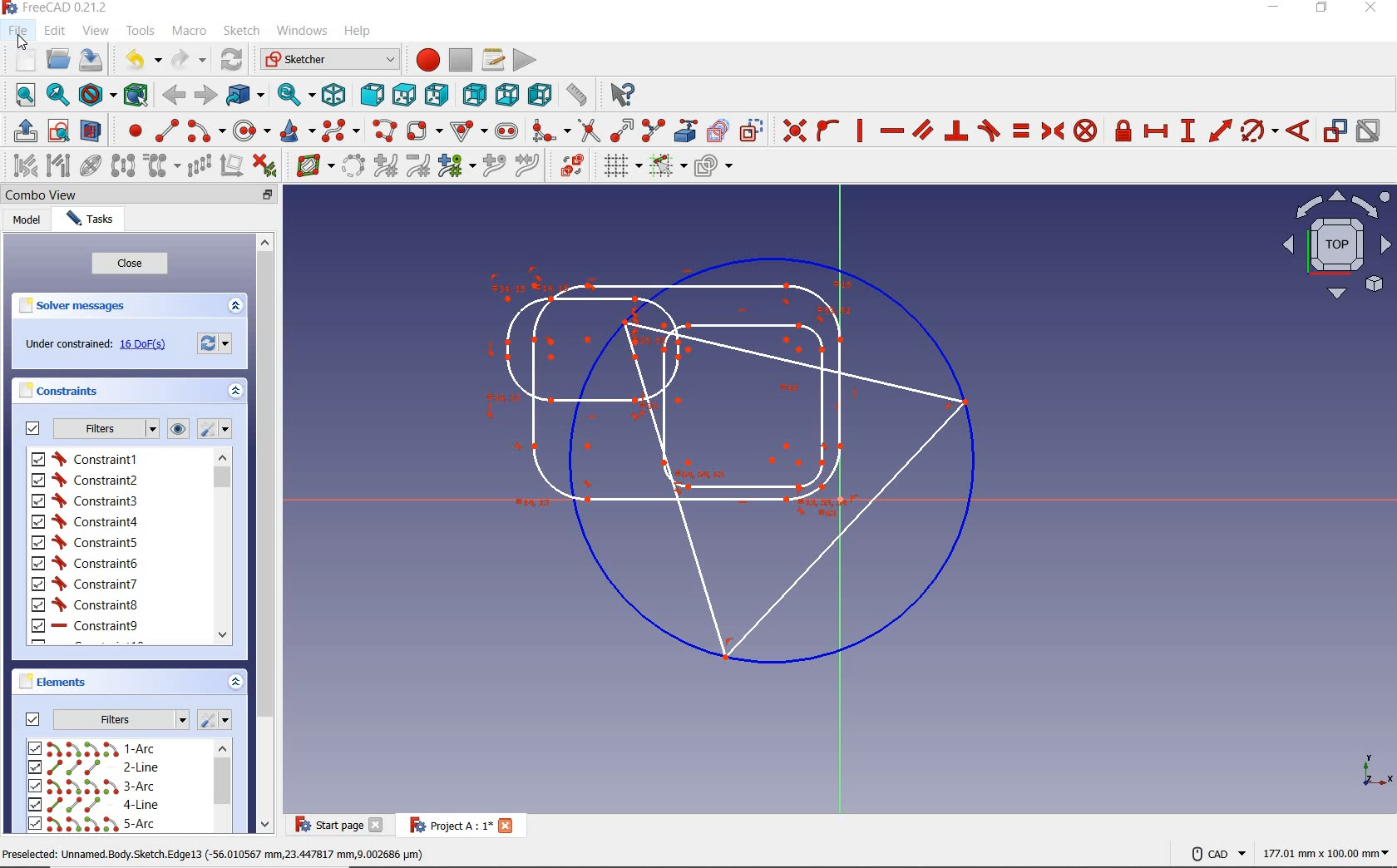 The width and height of the screenshot is (1397, 868). I want to click on show/hide b-spline information layer, so click(311, 165).